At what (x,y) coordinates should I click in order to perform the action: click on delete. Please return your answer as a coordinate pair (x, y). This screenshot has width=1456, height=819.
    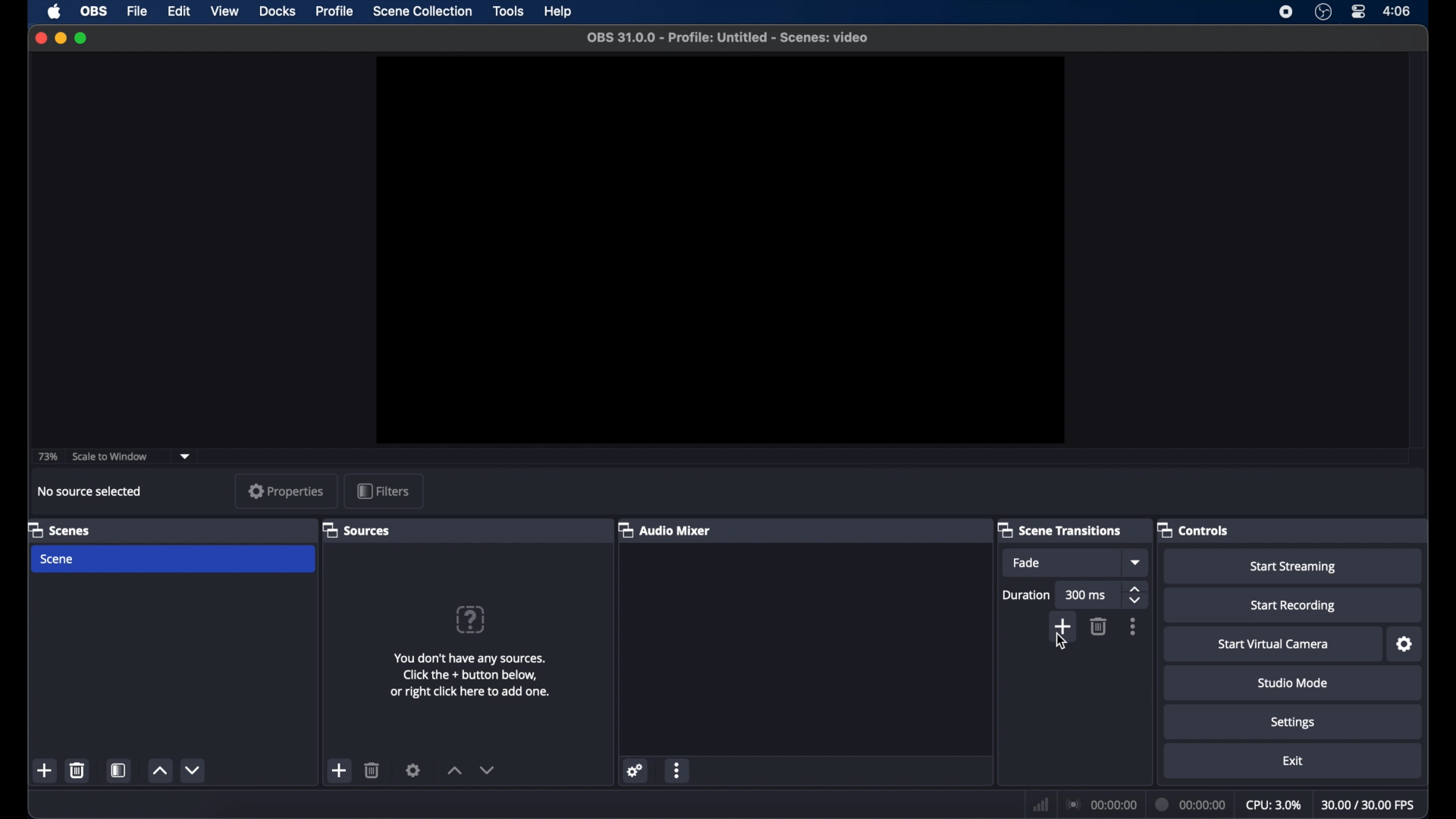
    Looking at the image, I should click on (372, 770).